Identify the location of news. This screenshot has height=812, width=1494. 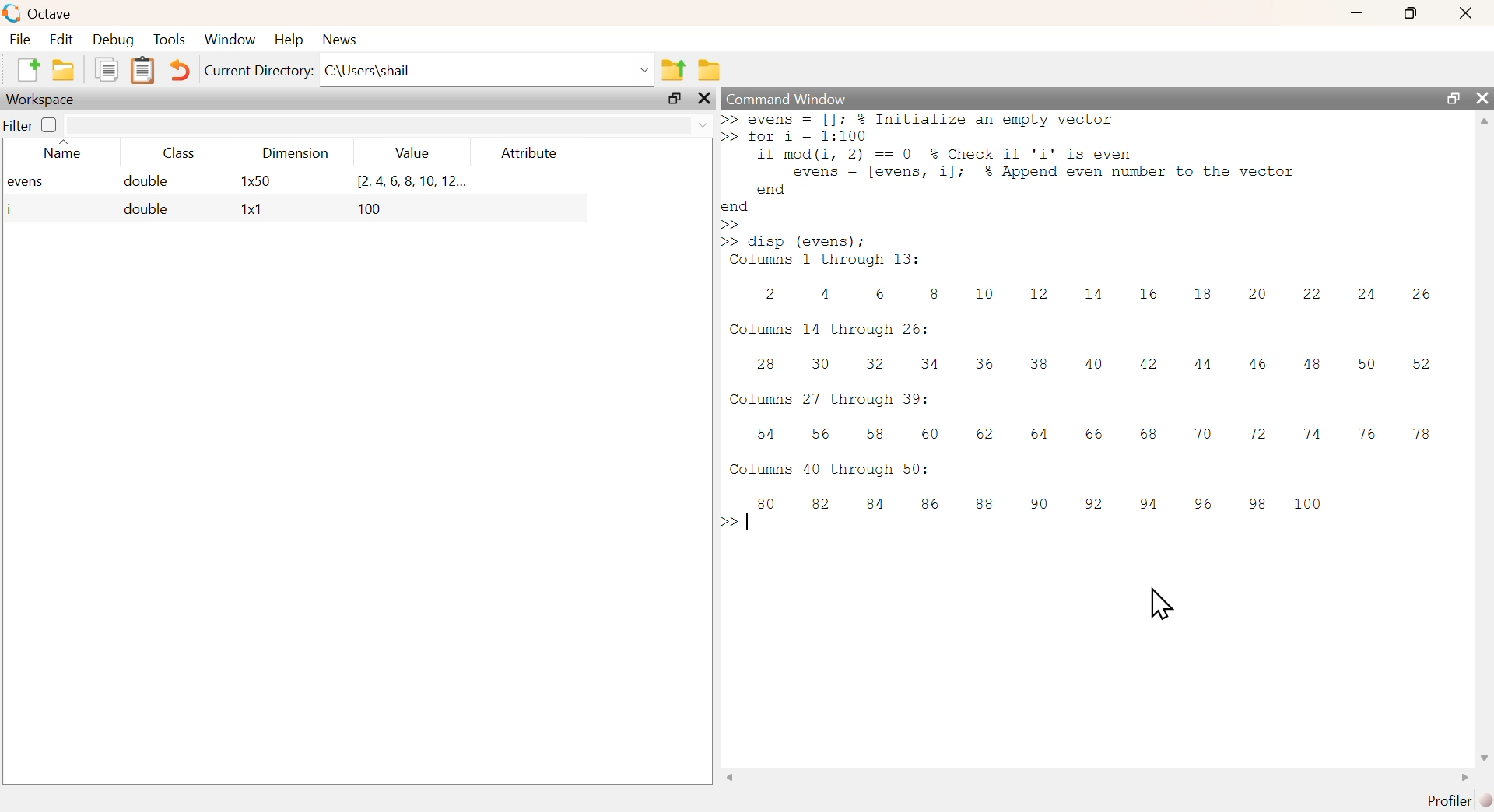
(342, 38).